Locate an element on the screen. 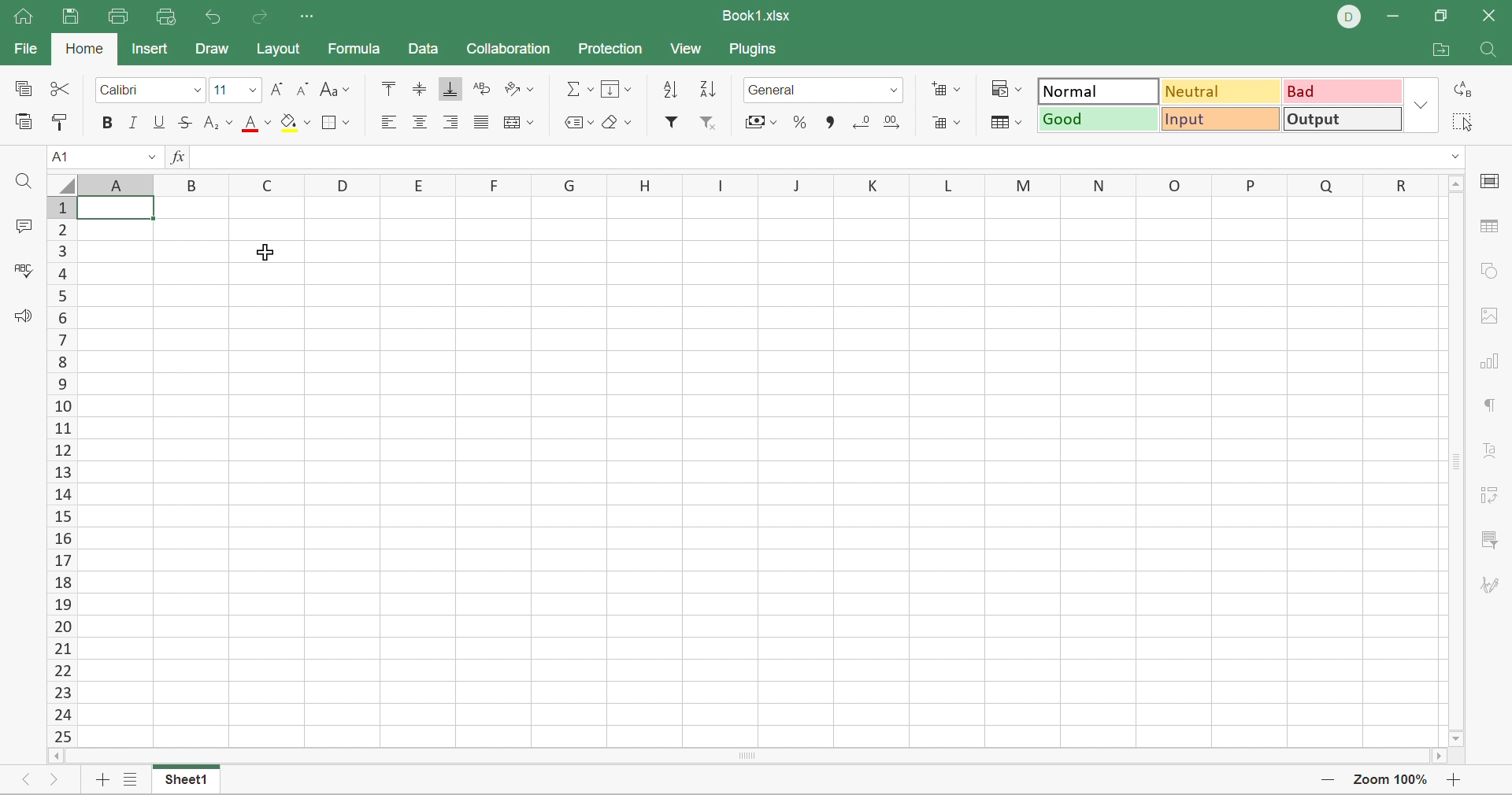  paragraph settings is located at coordinates (1495, 409).